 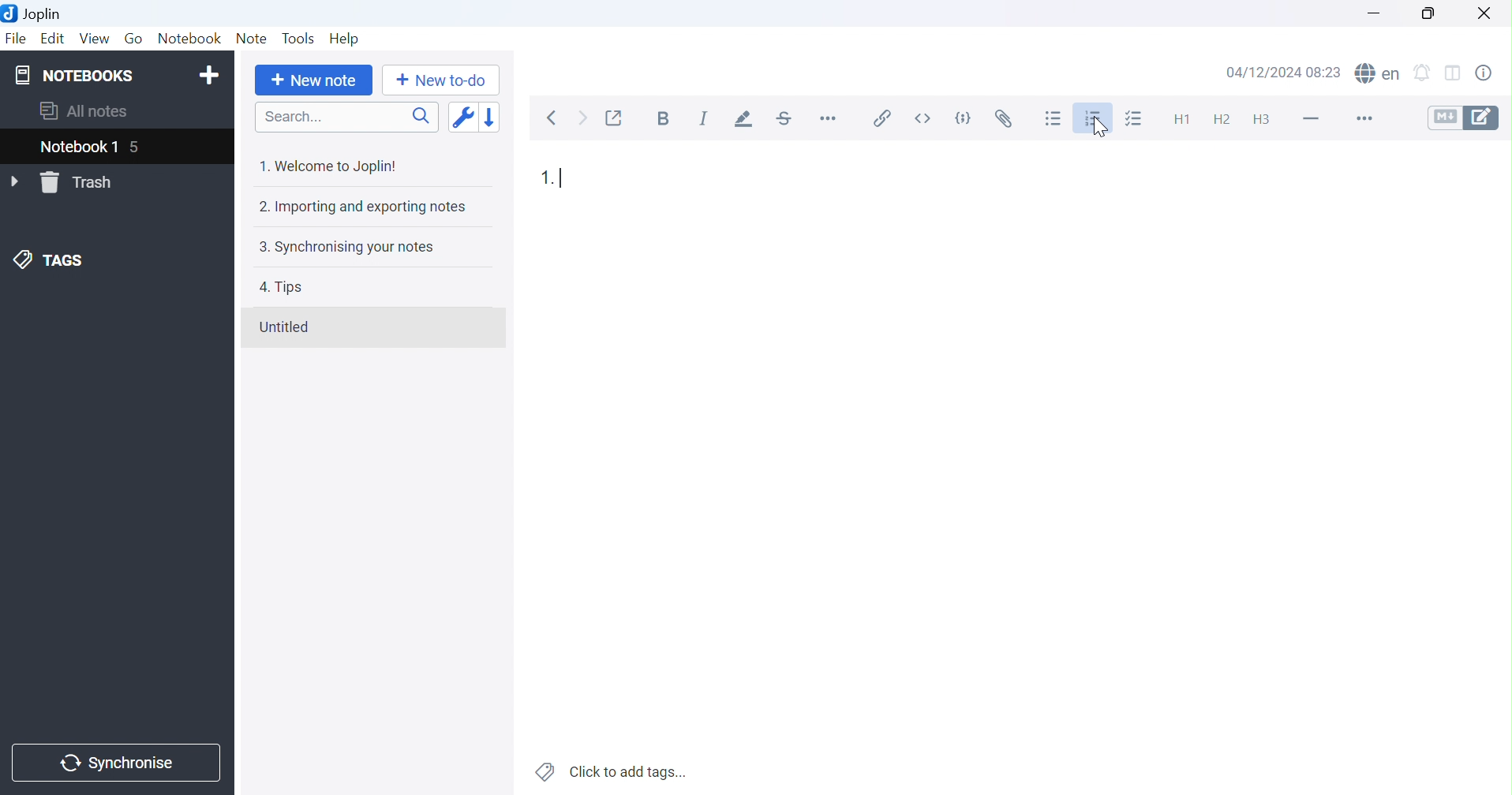 I want to click on Strikethrough, so click(x=788, y=120).